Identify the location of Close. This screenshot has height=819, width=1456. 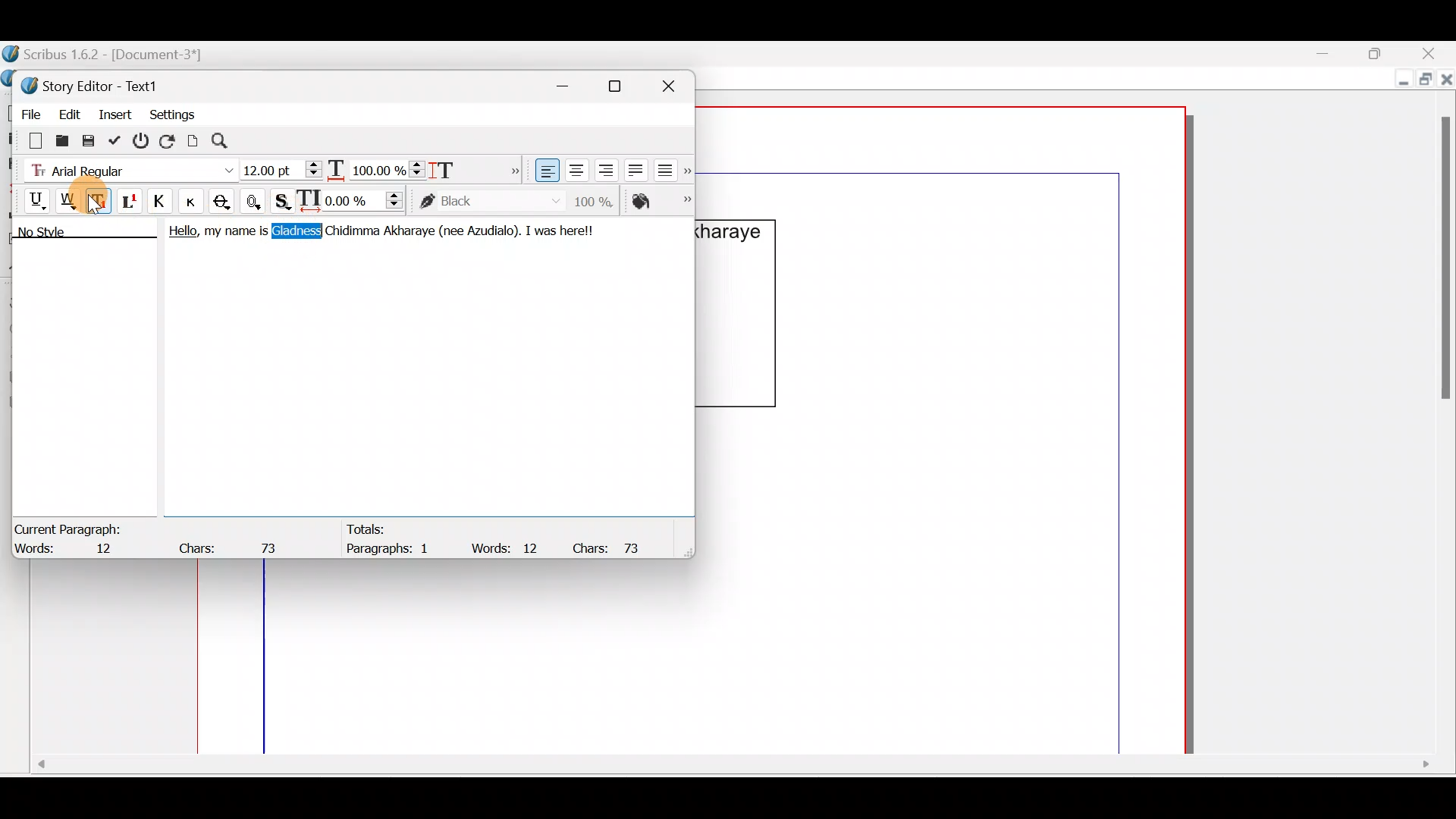
(1433, 53).